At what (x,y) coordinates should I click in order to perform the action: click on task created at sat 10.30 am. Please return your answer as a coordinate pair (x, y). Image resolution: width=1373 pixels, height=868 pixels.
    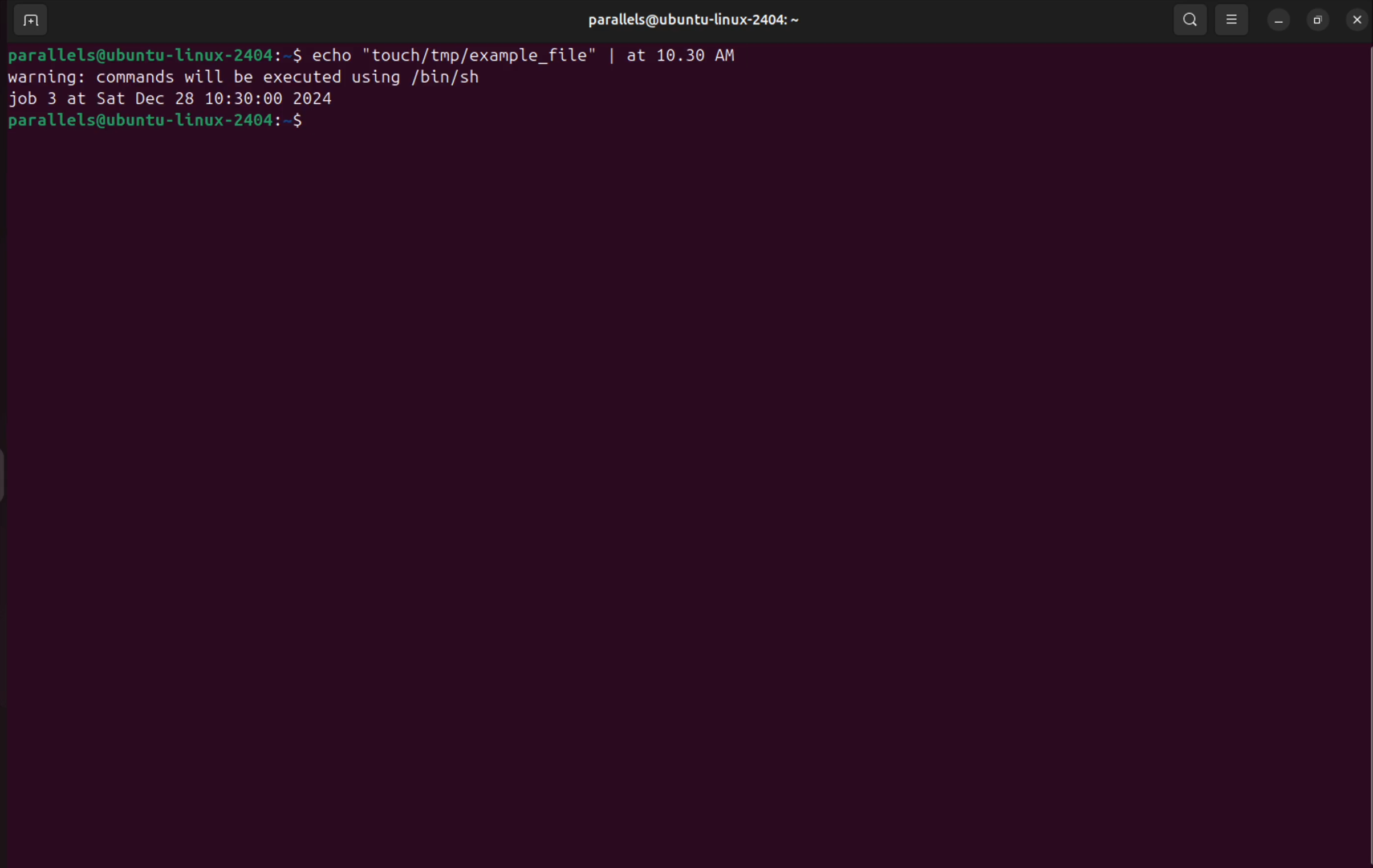
    Looking at the image, I should click on (179, 100).